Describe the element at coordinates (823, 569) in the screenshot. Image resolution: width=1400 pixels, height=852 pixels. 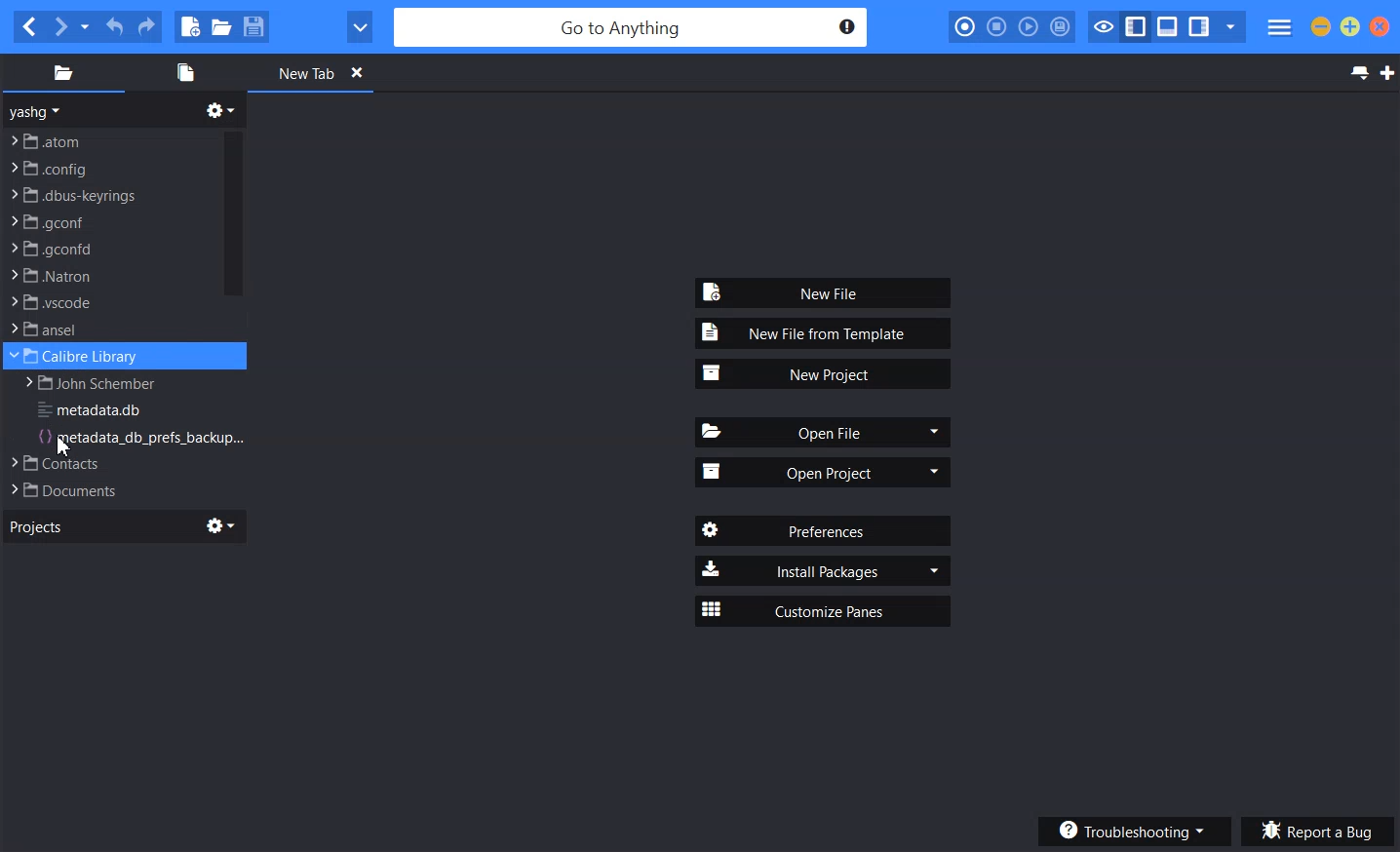
I see `Install Packages` at that location.